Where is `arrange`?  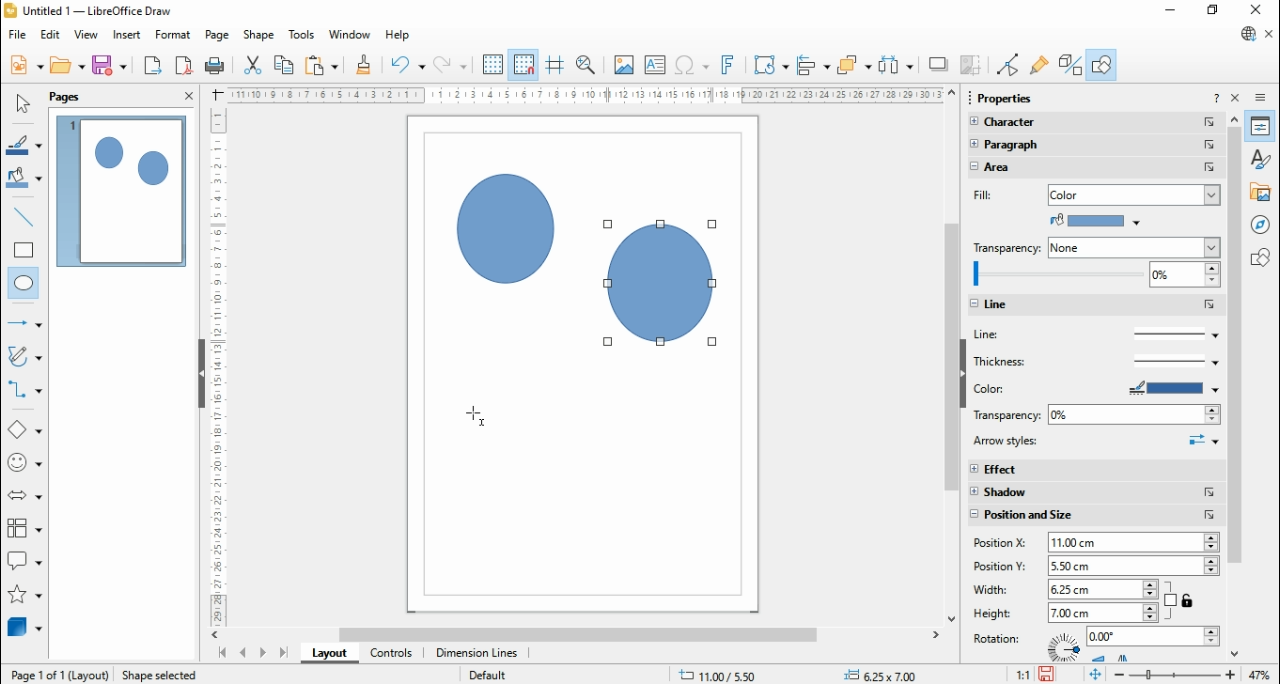
arrange is located at coordinates (855, 65).